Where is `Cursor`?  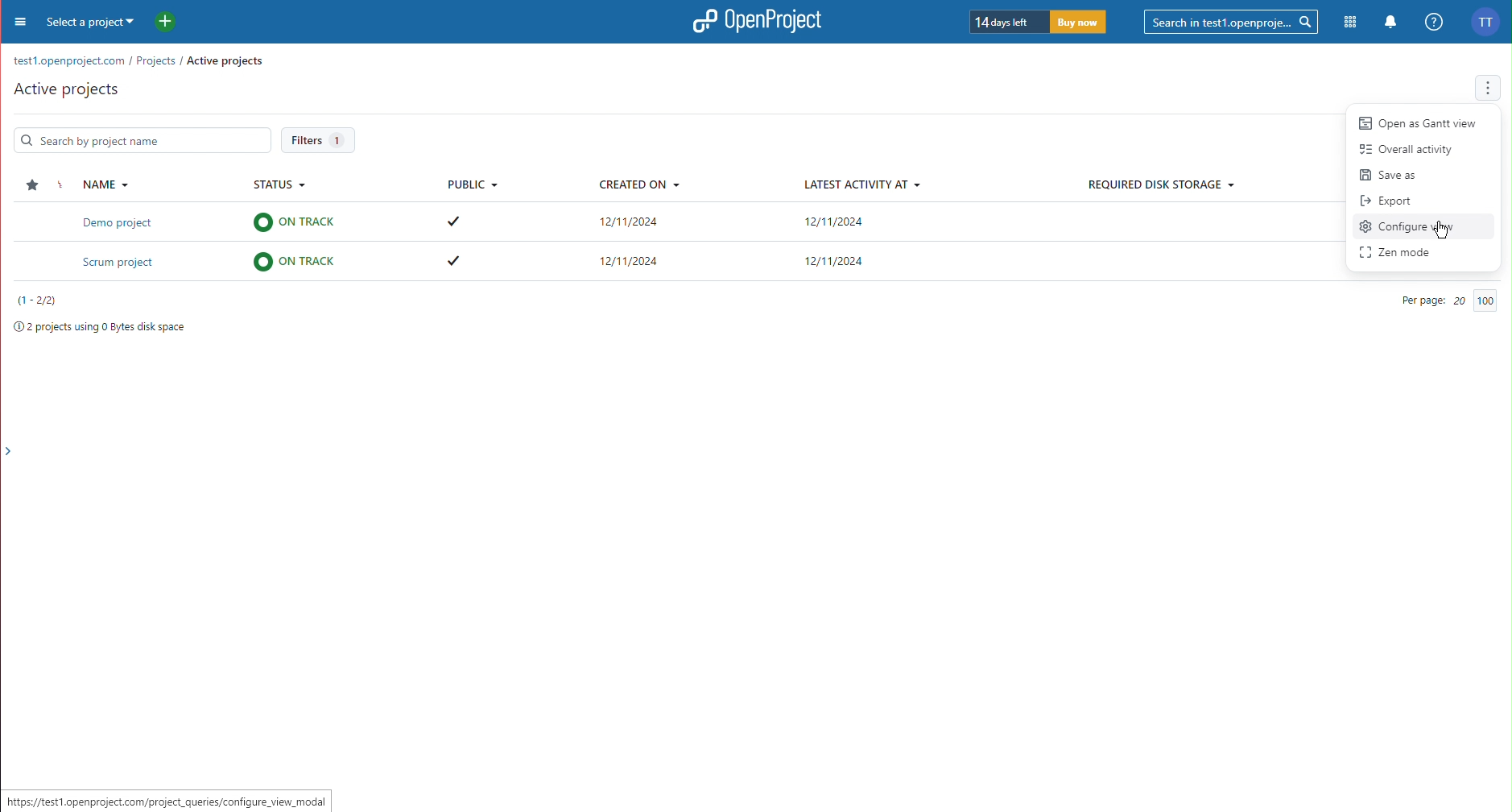 Cursor is located at coordinates (1436, 233).